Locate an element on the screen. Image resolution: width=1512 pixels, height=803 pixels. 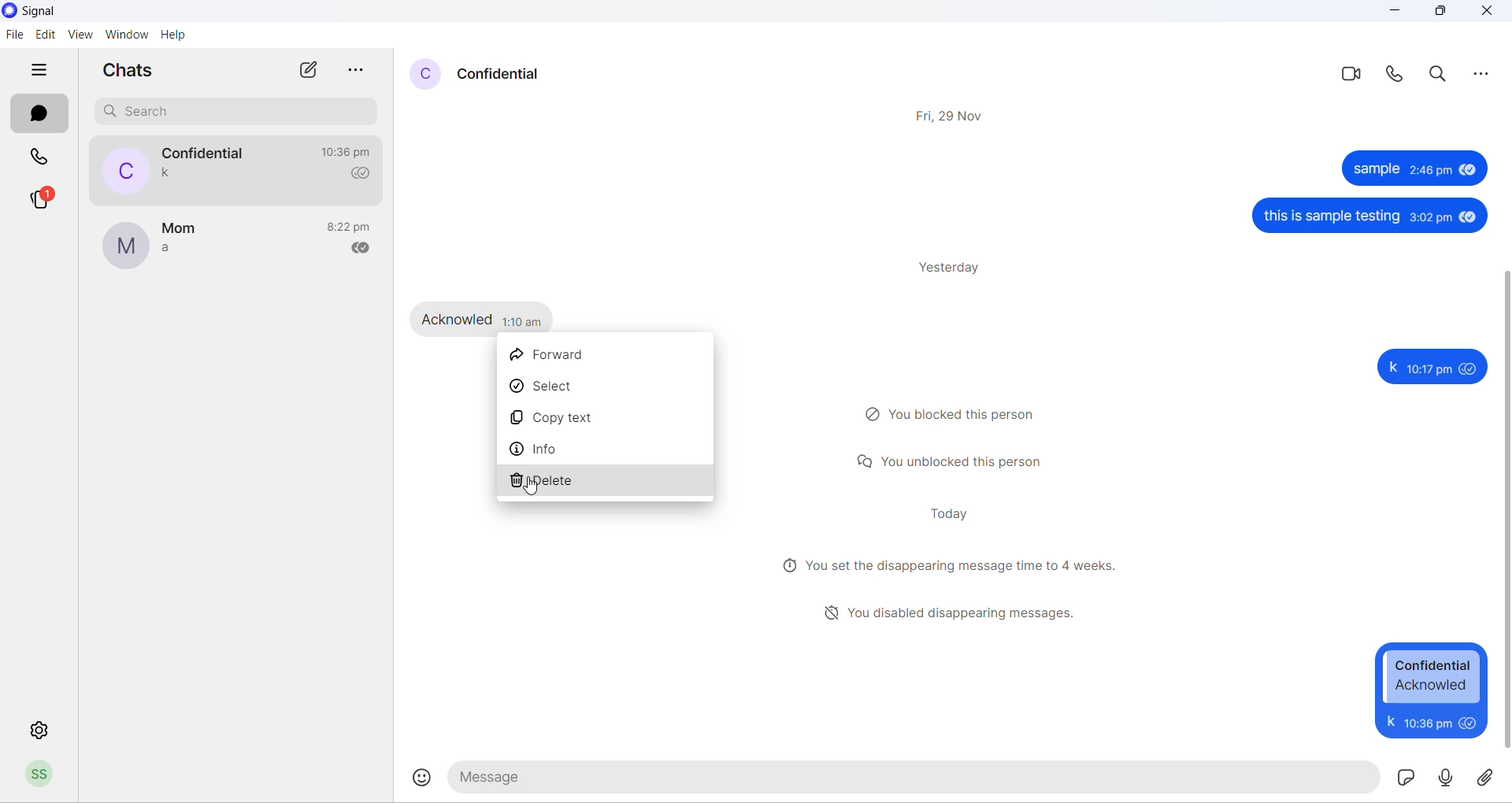
minimize is located at coordinates (1395, 13).